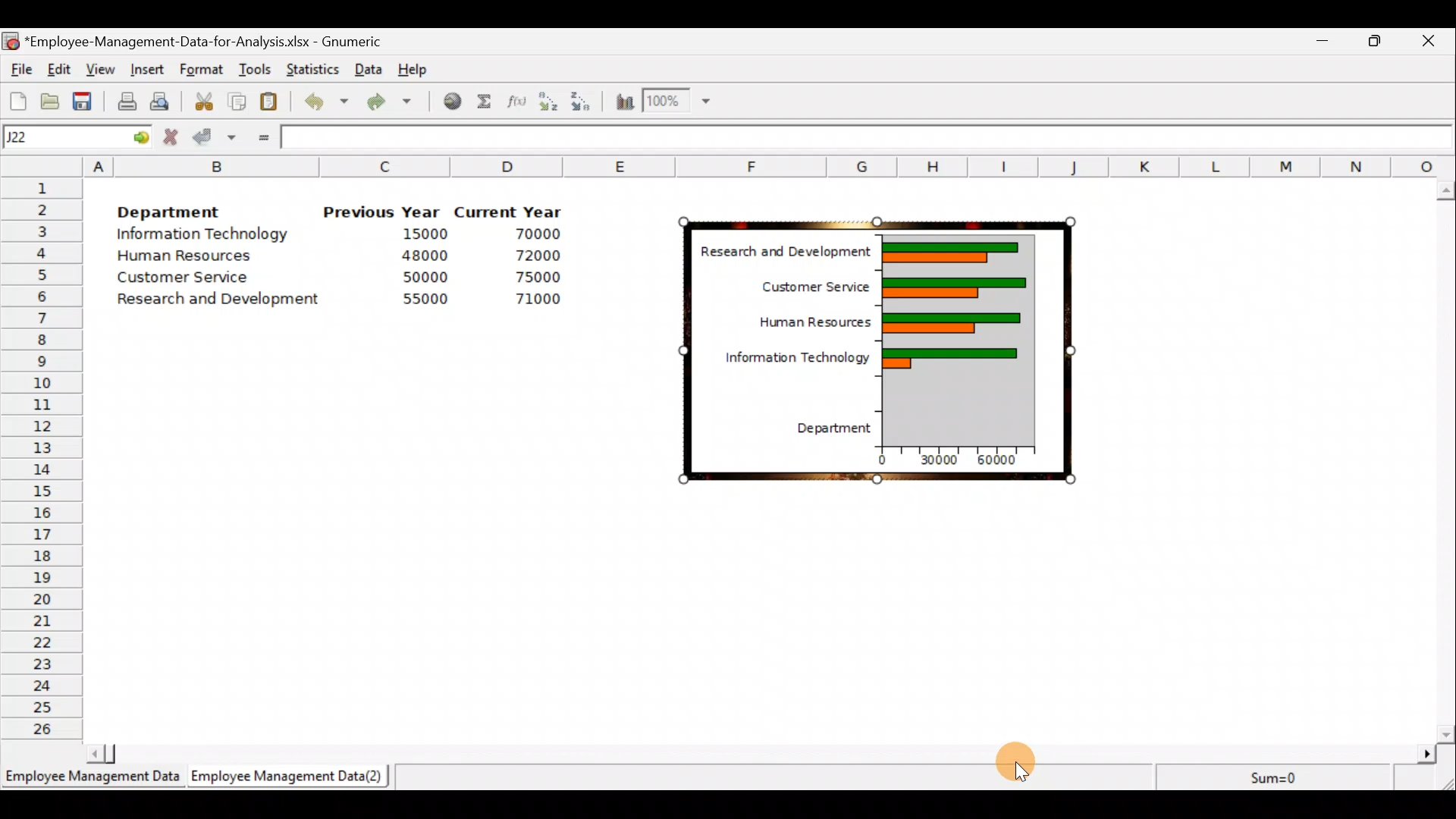 Image resolution: width=1456 pixels, height=819 pixels. Describe the element at coordinates (882, 462) in the screenshot. I see `0` at that location.